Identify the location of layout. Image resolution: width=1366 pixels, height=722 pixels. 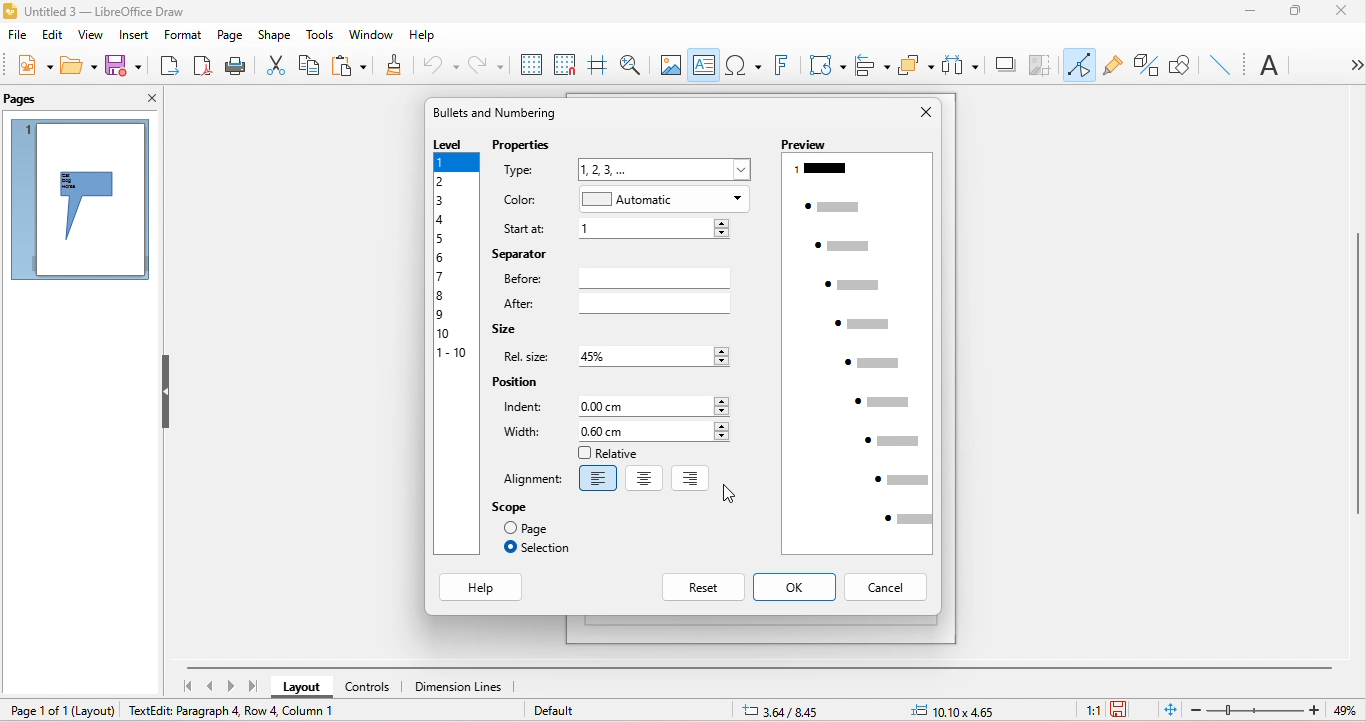
(299, 688).